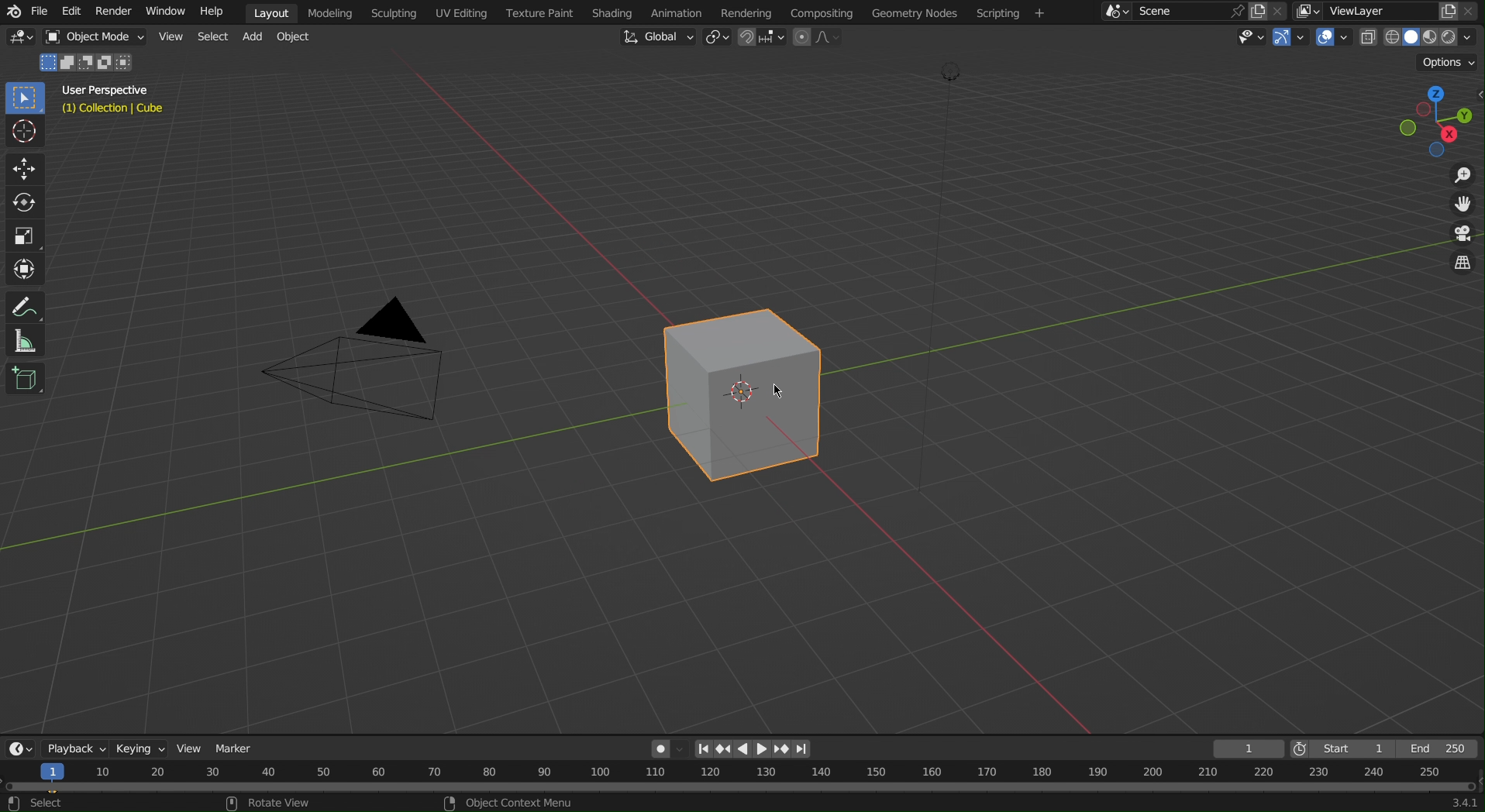 Image resolution: width=1485 pixels, height=812 pixels. What do you see at coordinates (190, 749) in the screenshot?
I see `View` at bounding box center [190, 749].